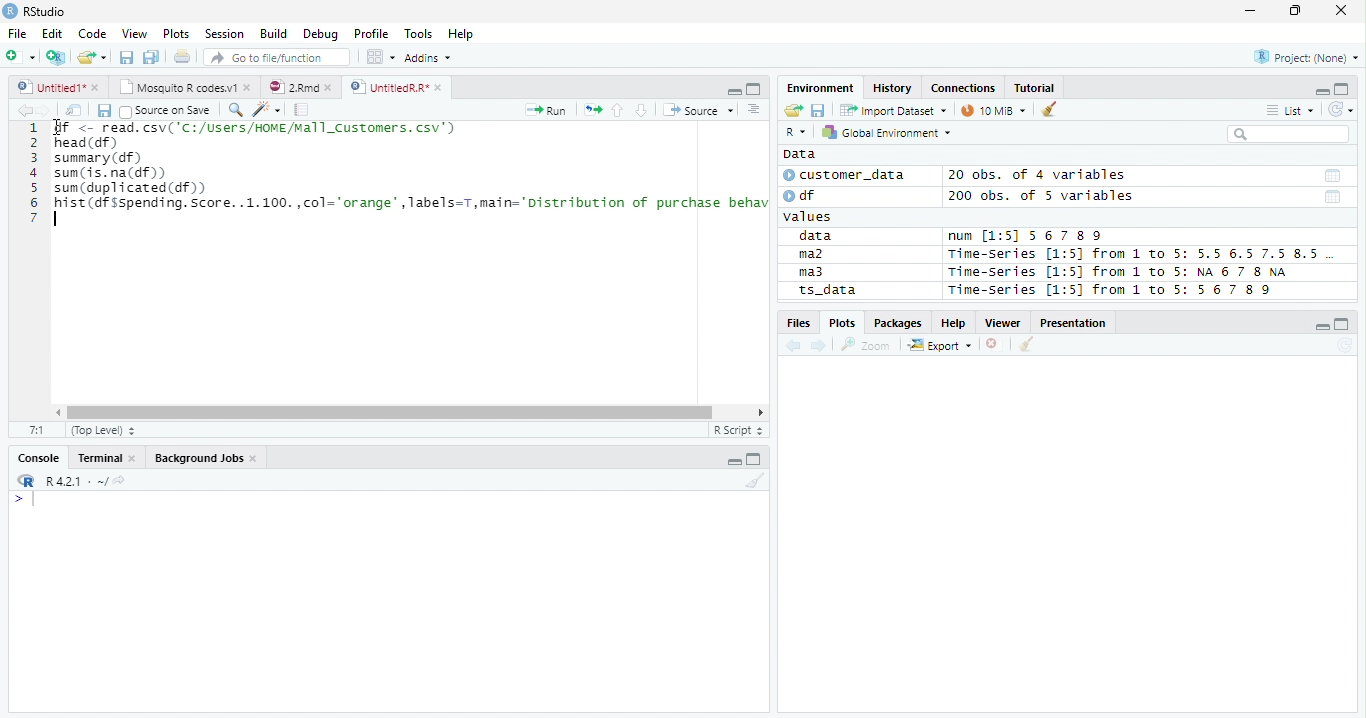 This screenshot has height=718, width=1366. Describe the element at coordinates (1320, 90) in the screenshot. I see `Minimze` at that location.